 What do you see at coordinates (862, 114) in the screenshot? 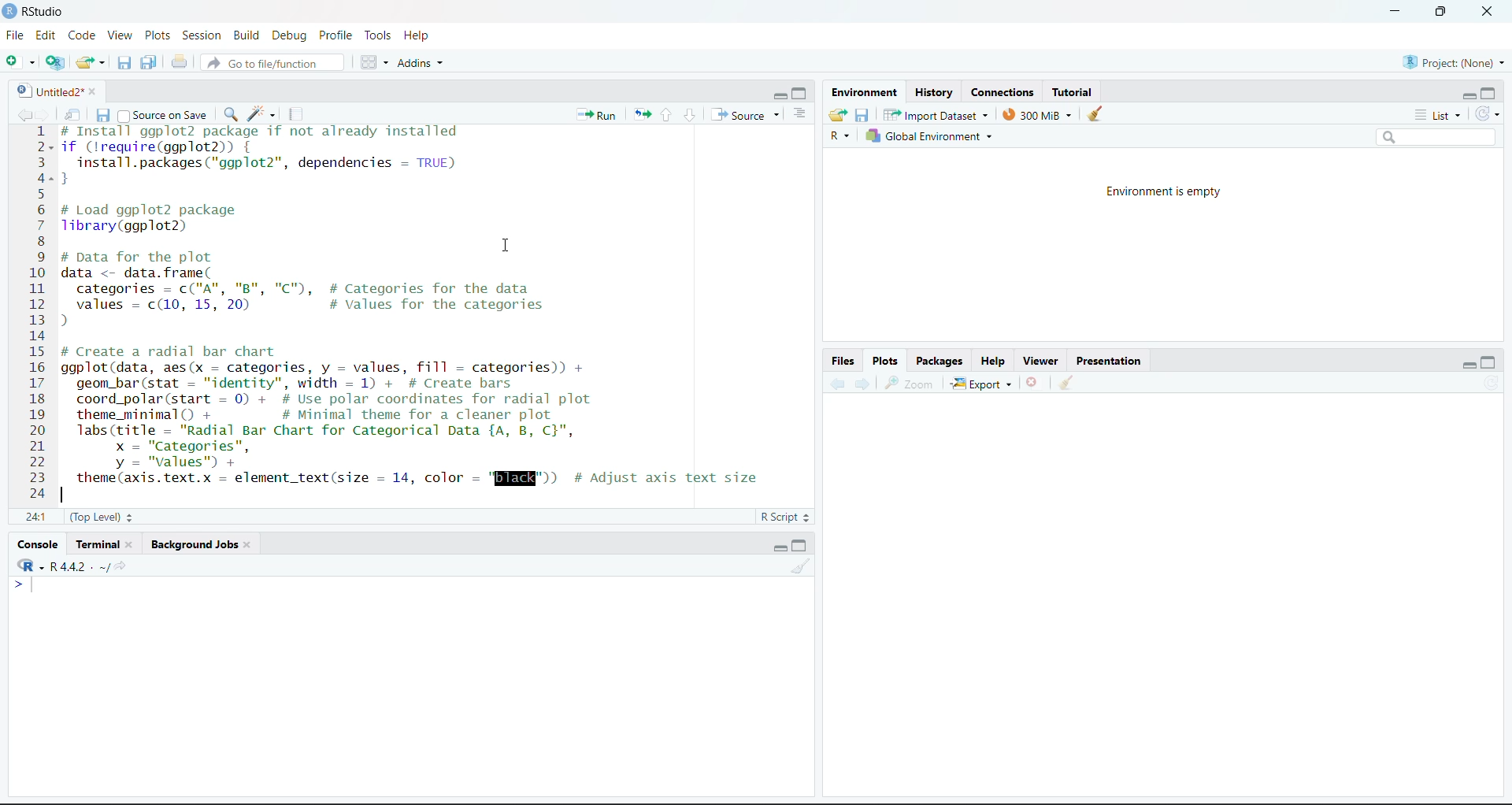
I see `save` at bounding box center [862, 114].